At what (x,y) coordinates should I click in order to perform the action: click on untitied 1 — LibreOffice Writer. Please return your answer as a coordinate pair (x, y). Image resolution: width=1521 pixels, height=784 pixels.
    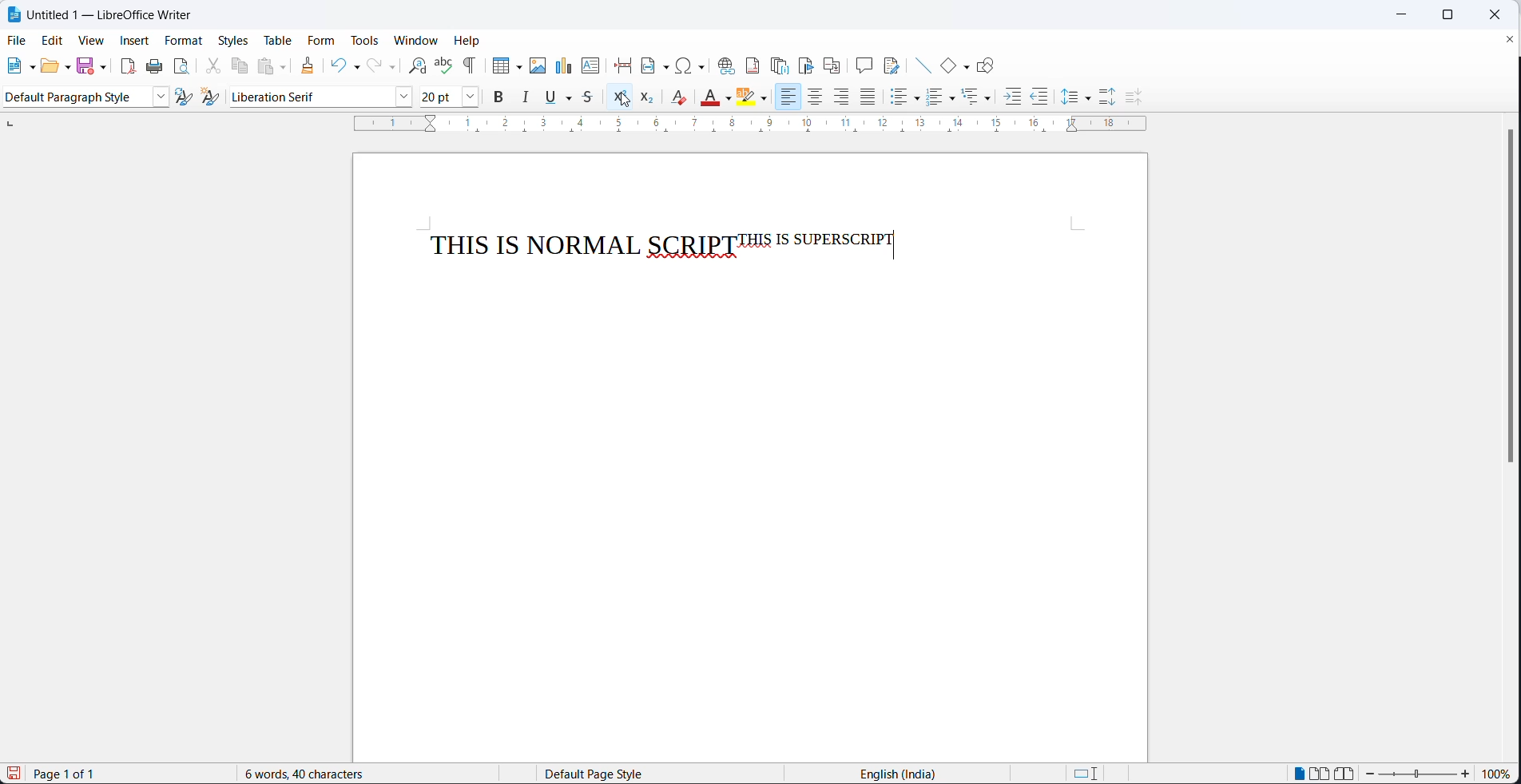
    Looking at the image, I should click on (118, 15).